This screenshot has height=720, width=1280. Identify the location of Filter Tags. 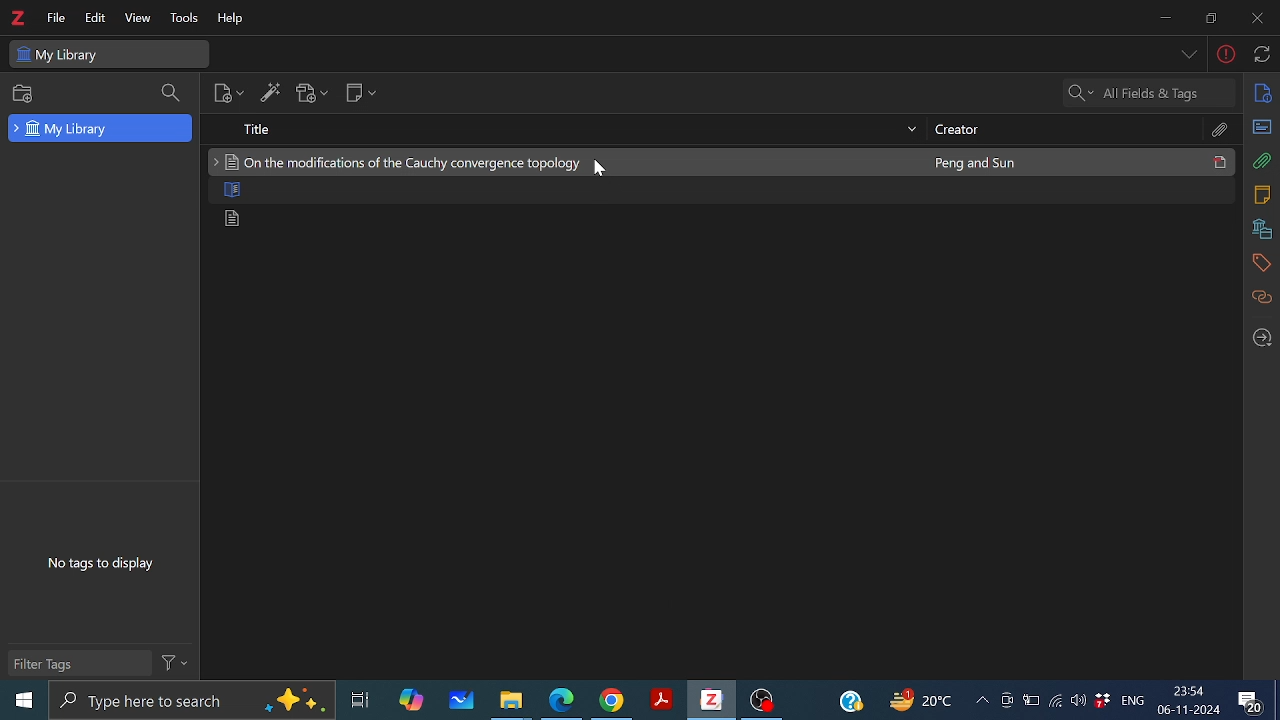
(77, 662).